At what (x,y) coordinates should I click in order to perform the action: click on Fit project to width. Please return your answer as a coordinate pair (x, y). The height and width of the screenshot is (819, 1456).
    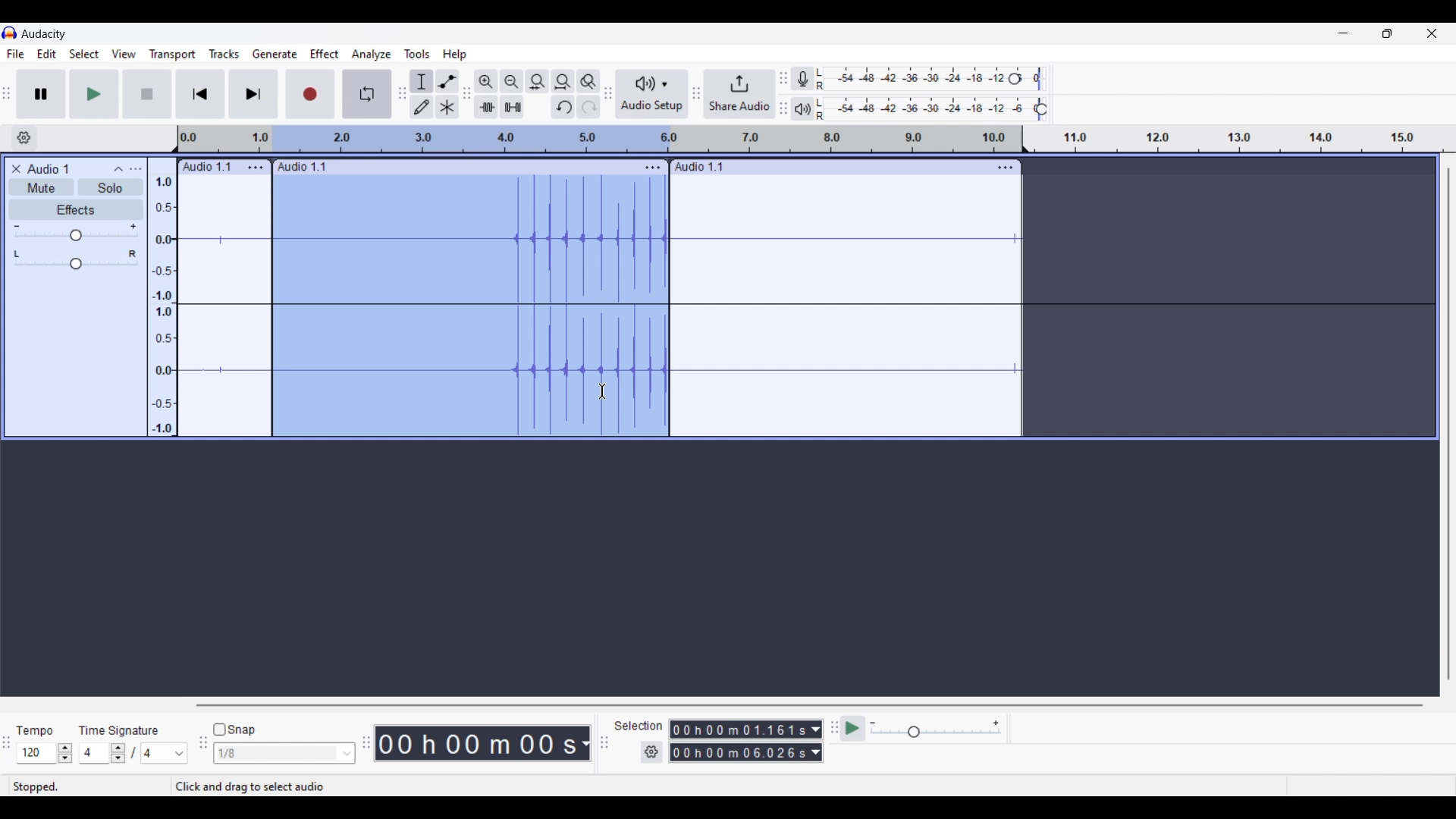
    Looking at the image, I should click on (563, 81).